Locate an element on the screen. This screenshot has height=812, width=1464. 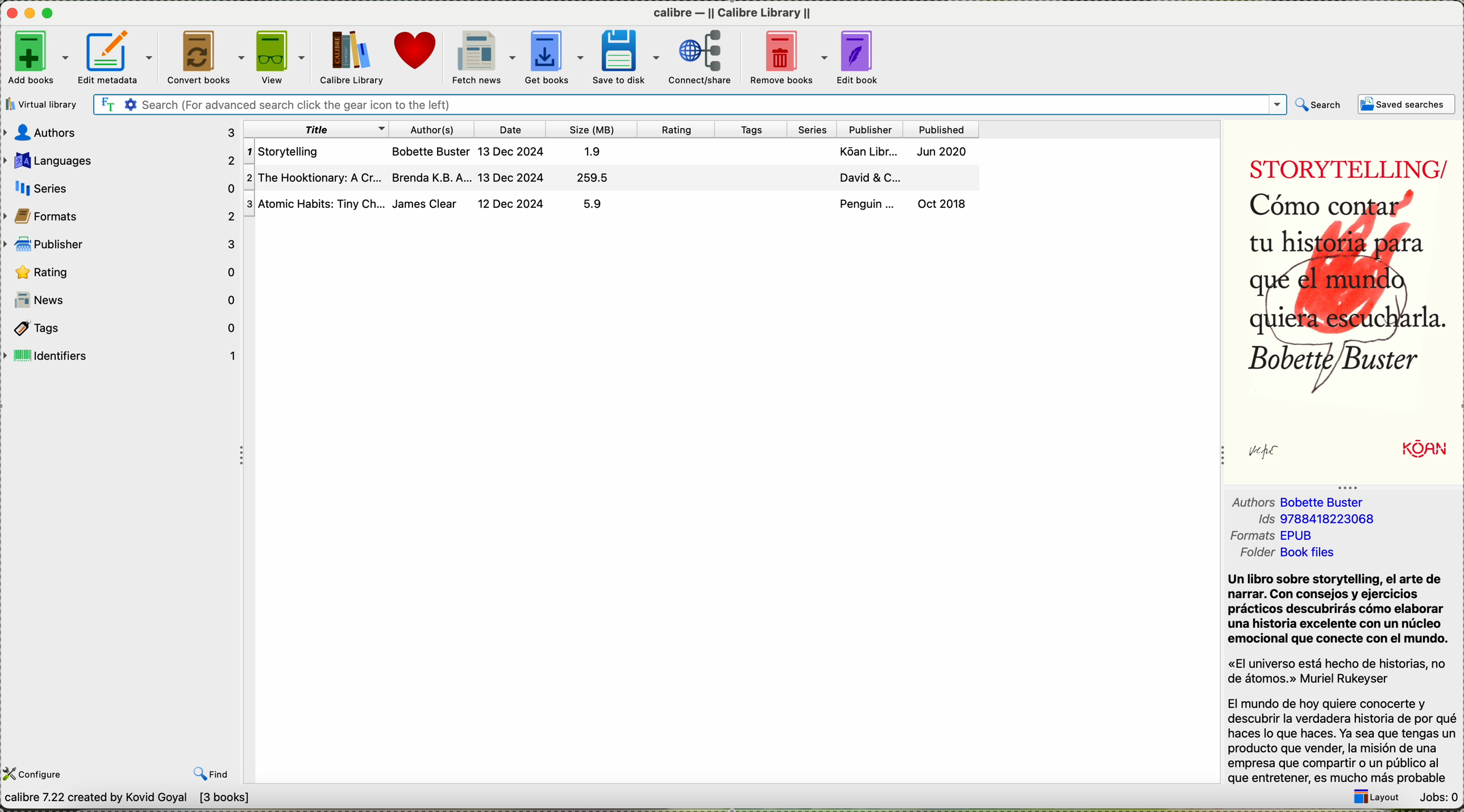
saved searches is located at coordinates (1408, 104).